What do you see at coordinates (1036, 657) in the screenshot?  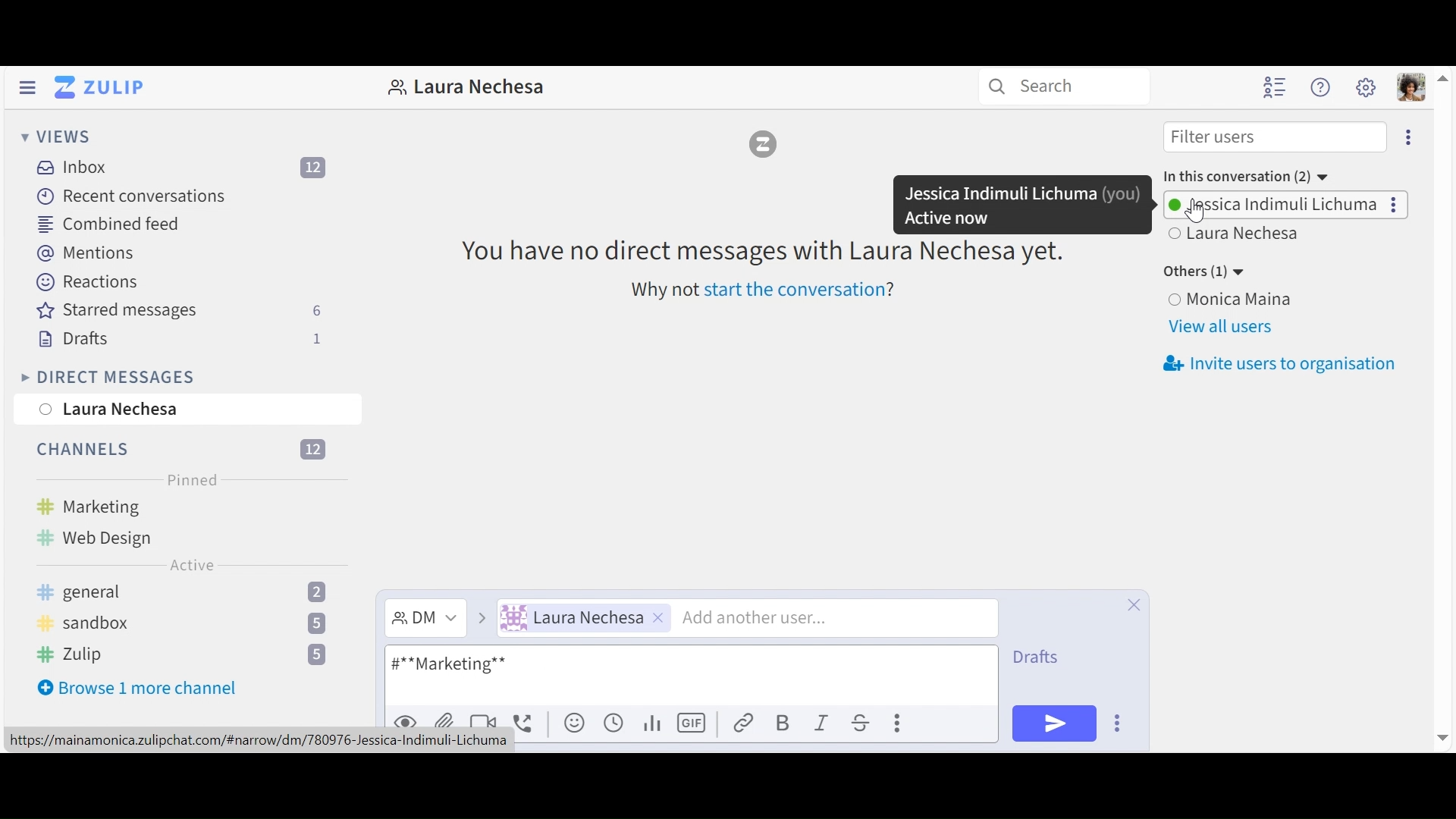 I see `Drafts` at bounding box center [1036, 657].